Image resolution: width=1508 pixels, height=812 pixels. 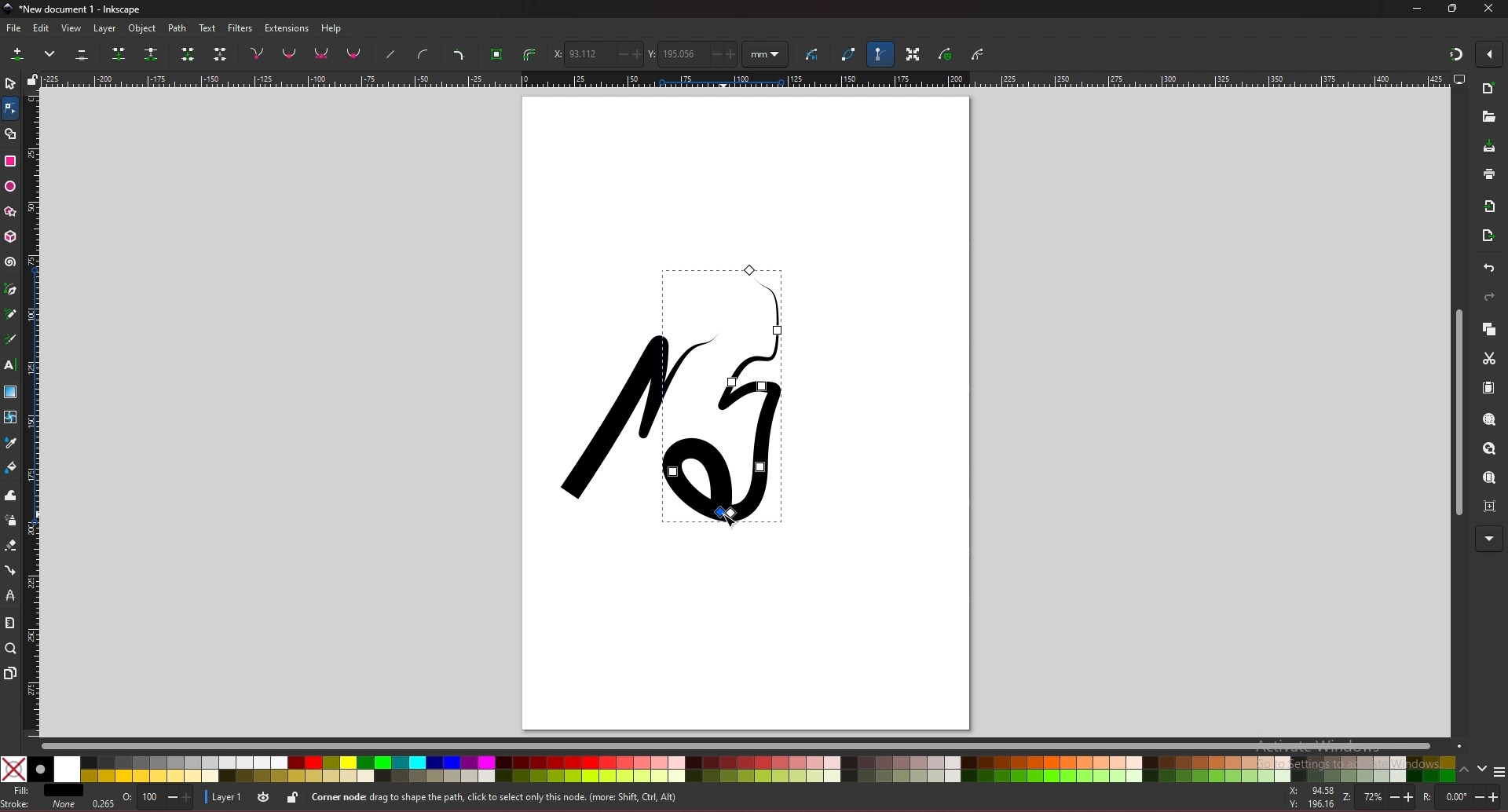 I want to click on snapping, so click(x=1456, y=54).